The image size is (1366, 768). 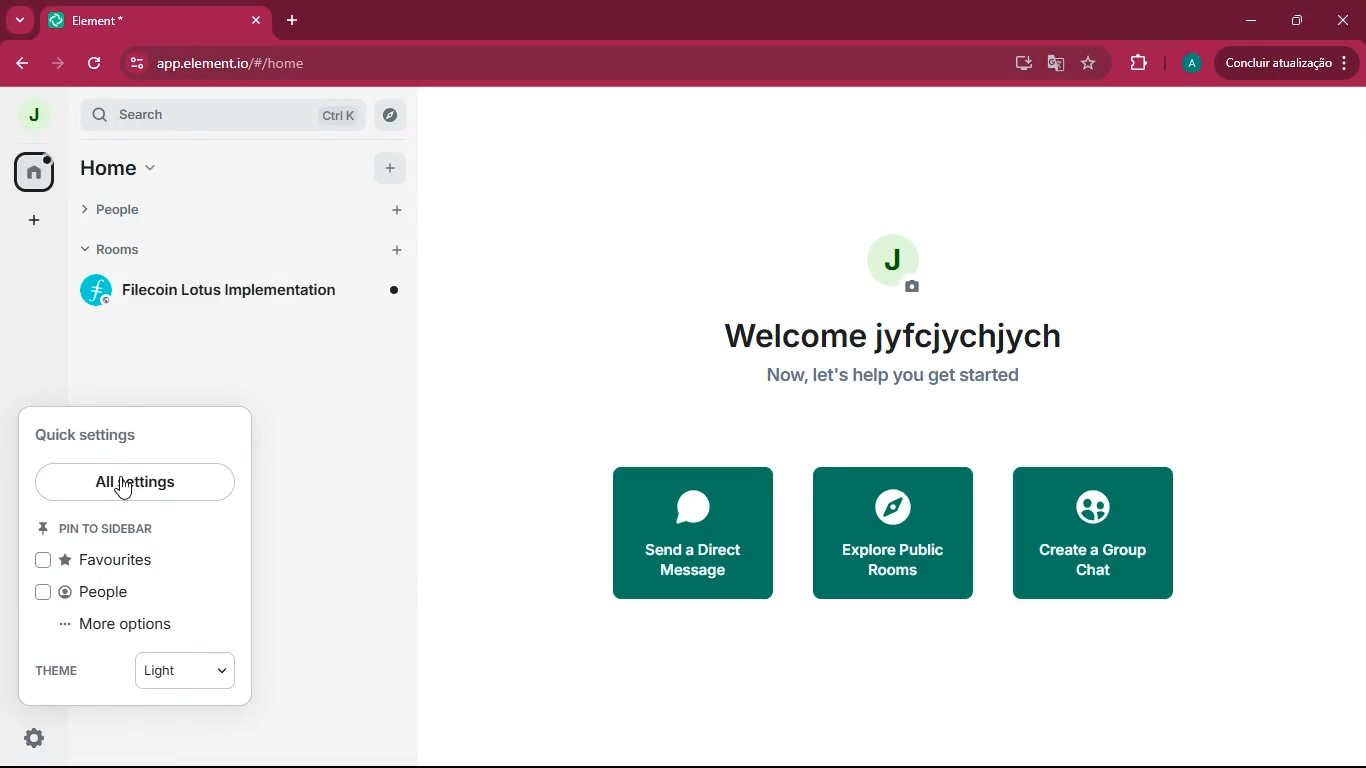 I want to click on explore, so click(x=893, y=534).